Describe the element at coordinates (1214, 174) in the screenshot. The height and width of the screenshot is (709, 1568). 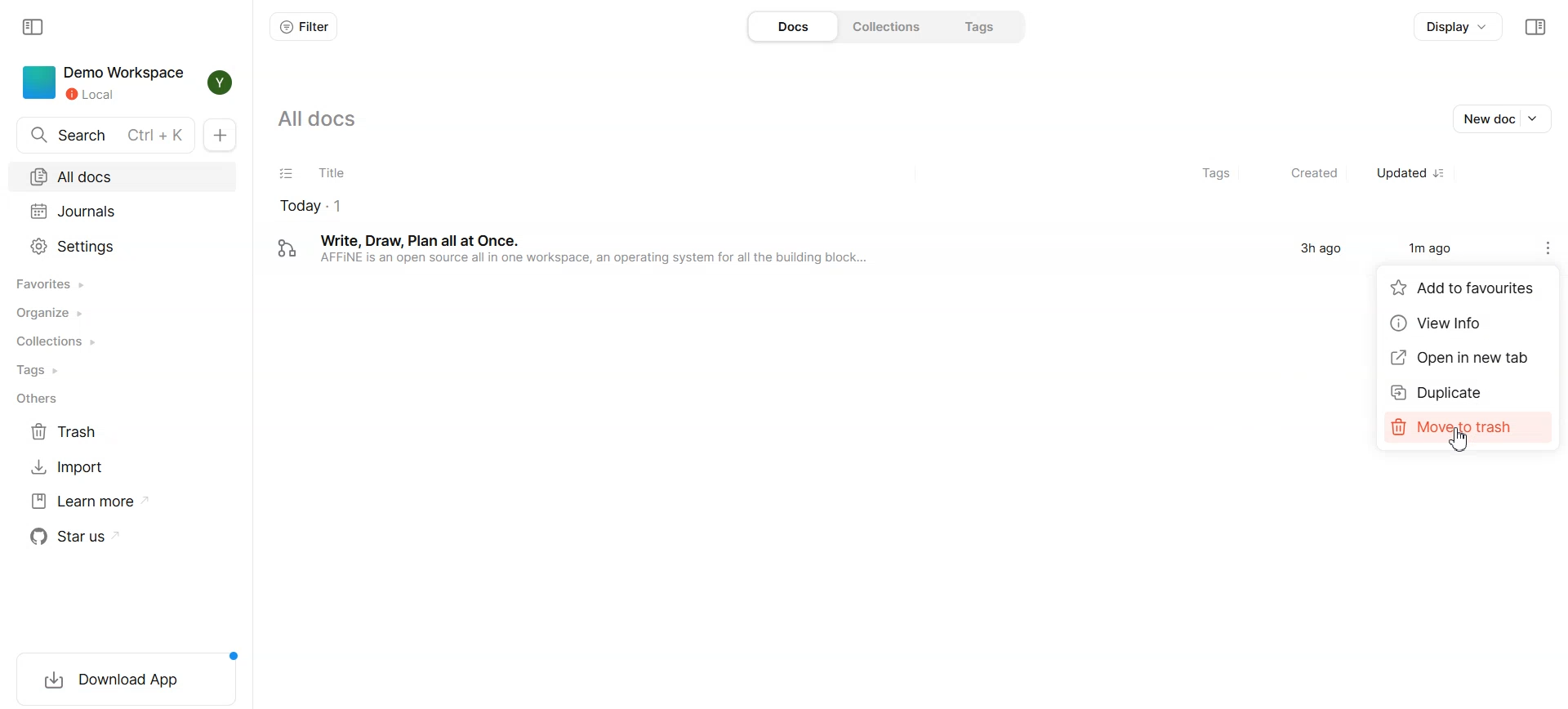
I see `Tags` at that location.